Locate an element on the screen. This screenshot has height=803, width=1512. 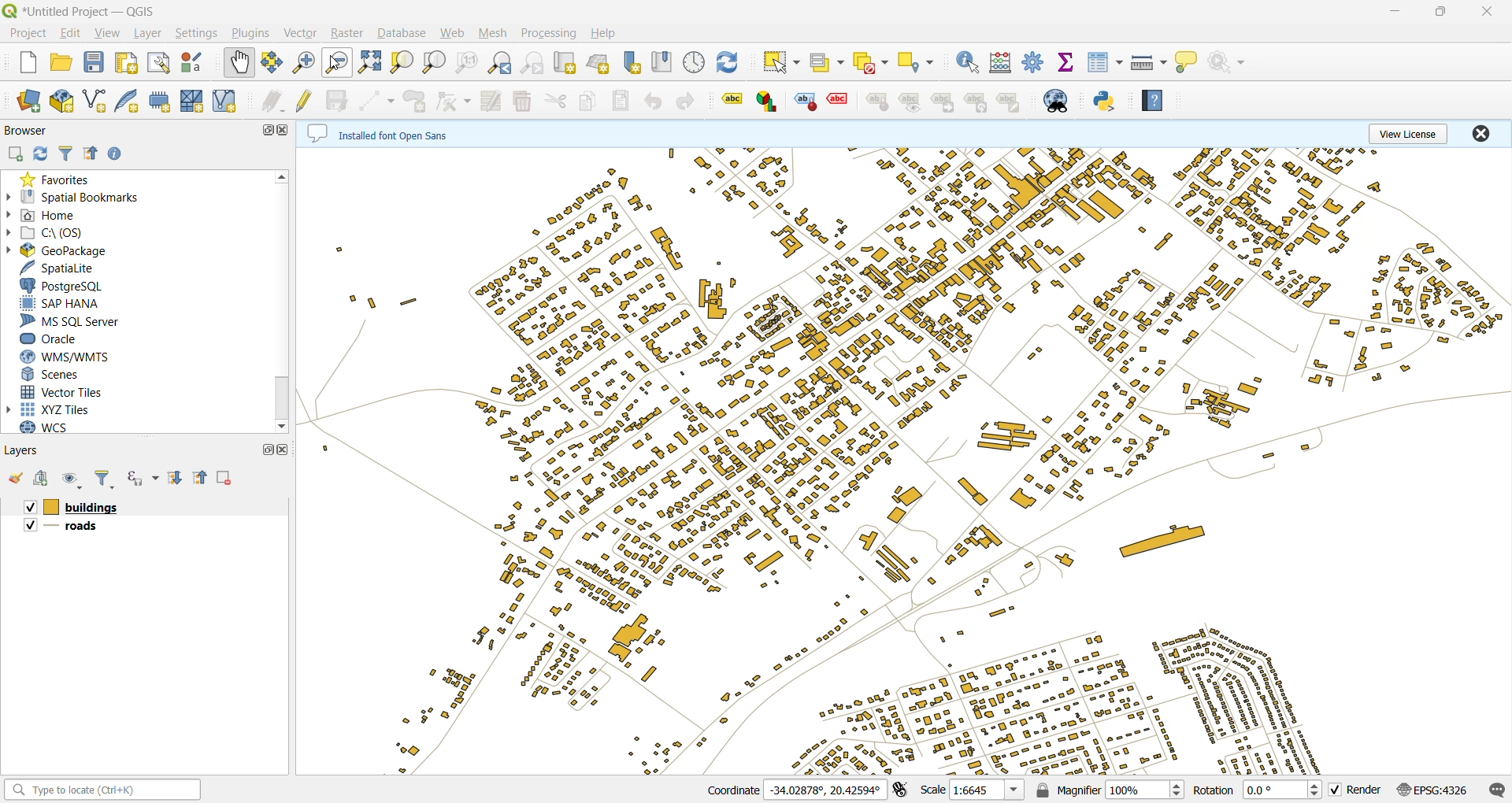
xyz tiles is located at coordinates (55, 409).